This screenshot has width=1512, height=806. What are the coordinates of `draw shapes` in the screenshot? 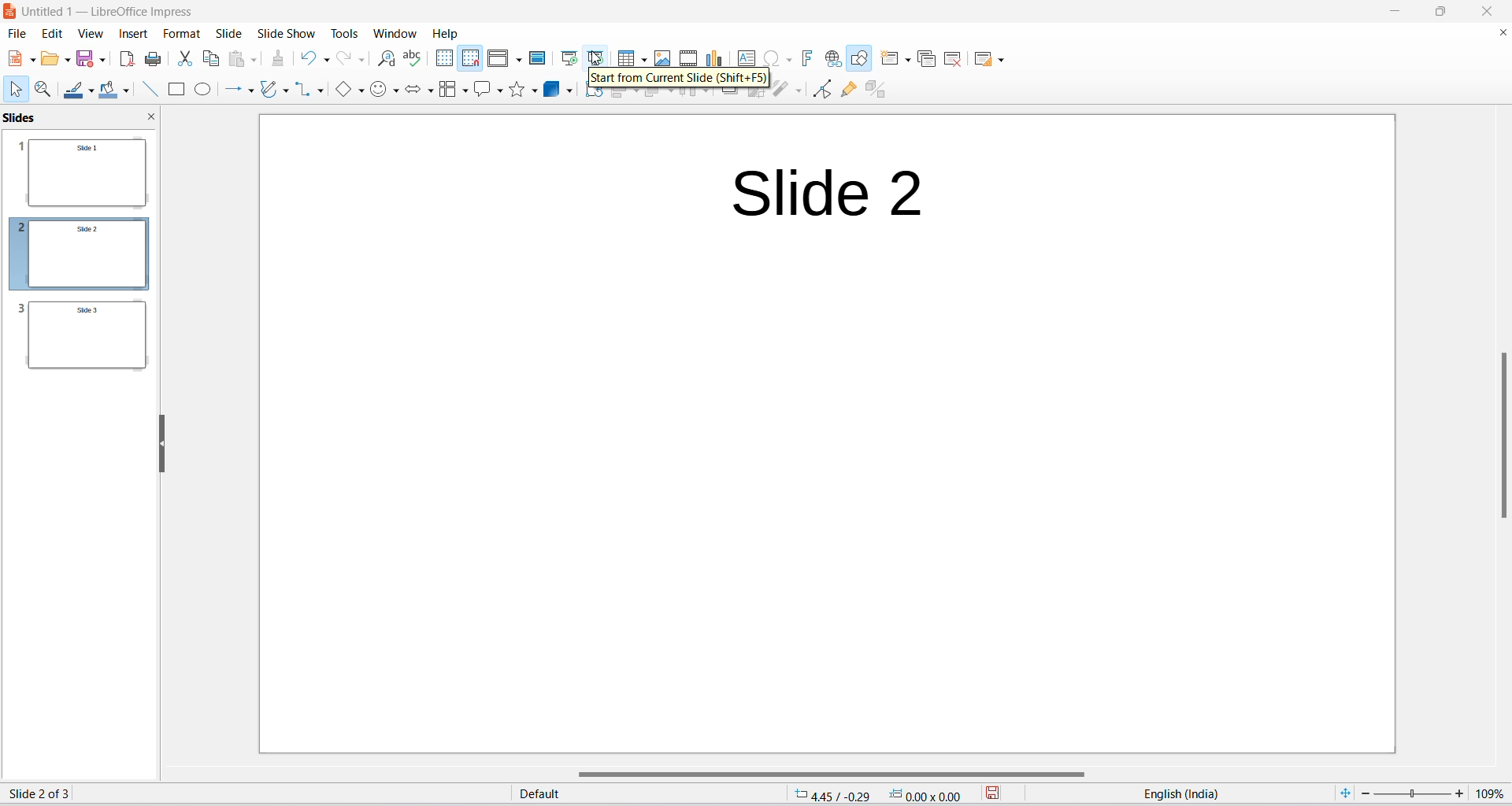 It's located at (862, 60).